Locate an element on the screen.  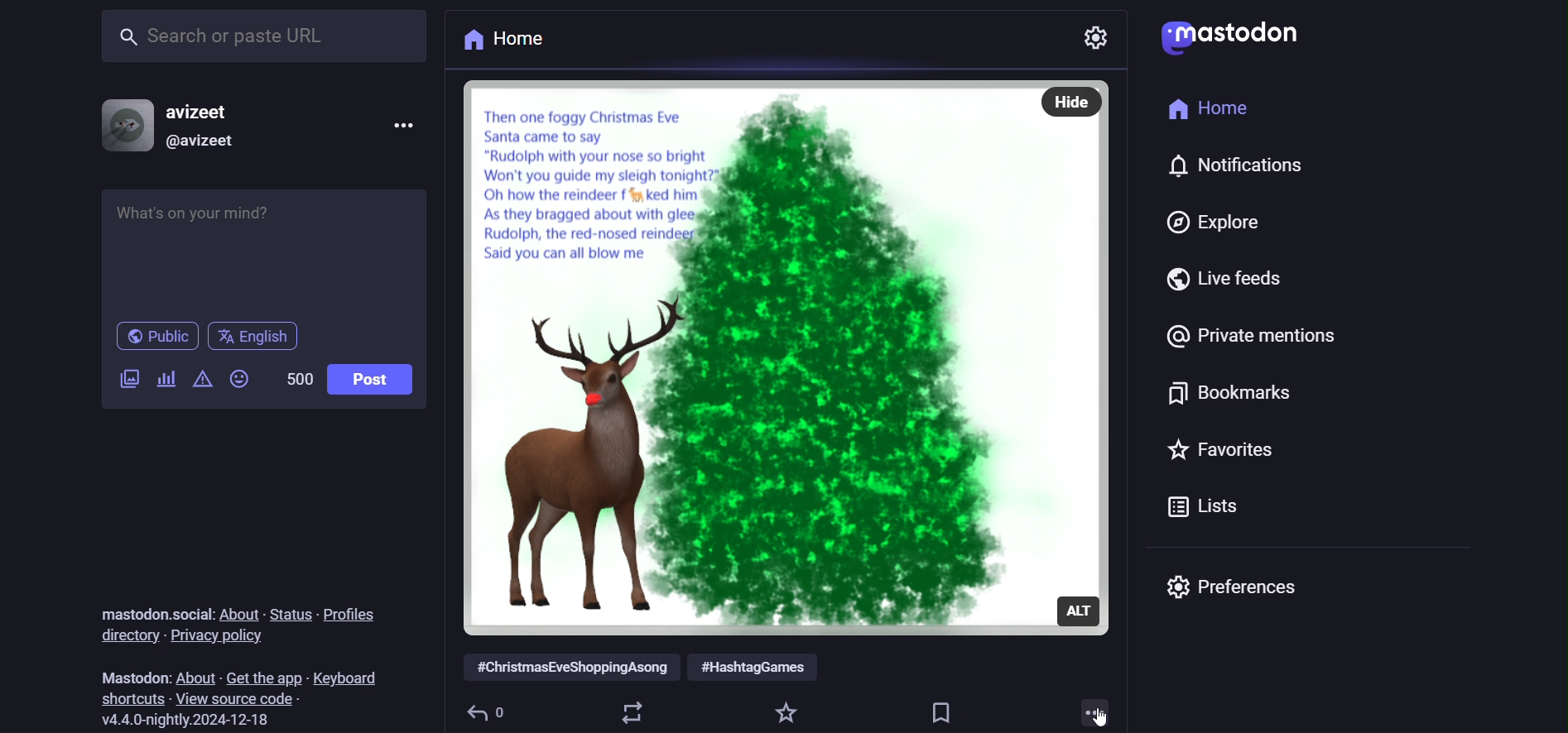
word limit is located at coordinates (297, 378).